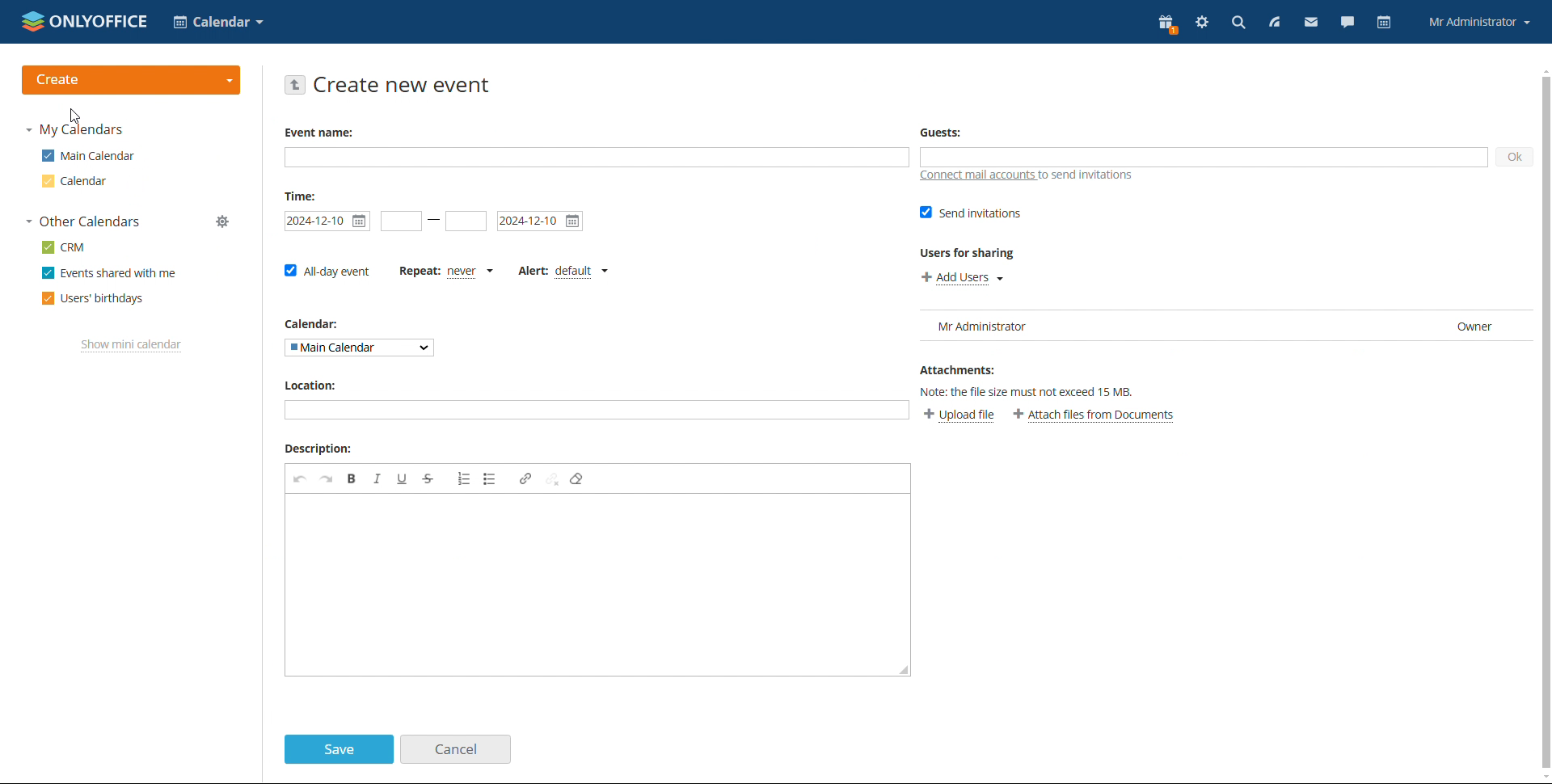 Image resolution: width=1552 pixels, height=784 pixels. Describe the element at coordinates (352, 478) in the screenshot. I see `bold` at that location.